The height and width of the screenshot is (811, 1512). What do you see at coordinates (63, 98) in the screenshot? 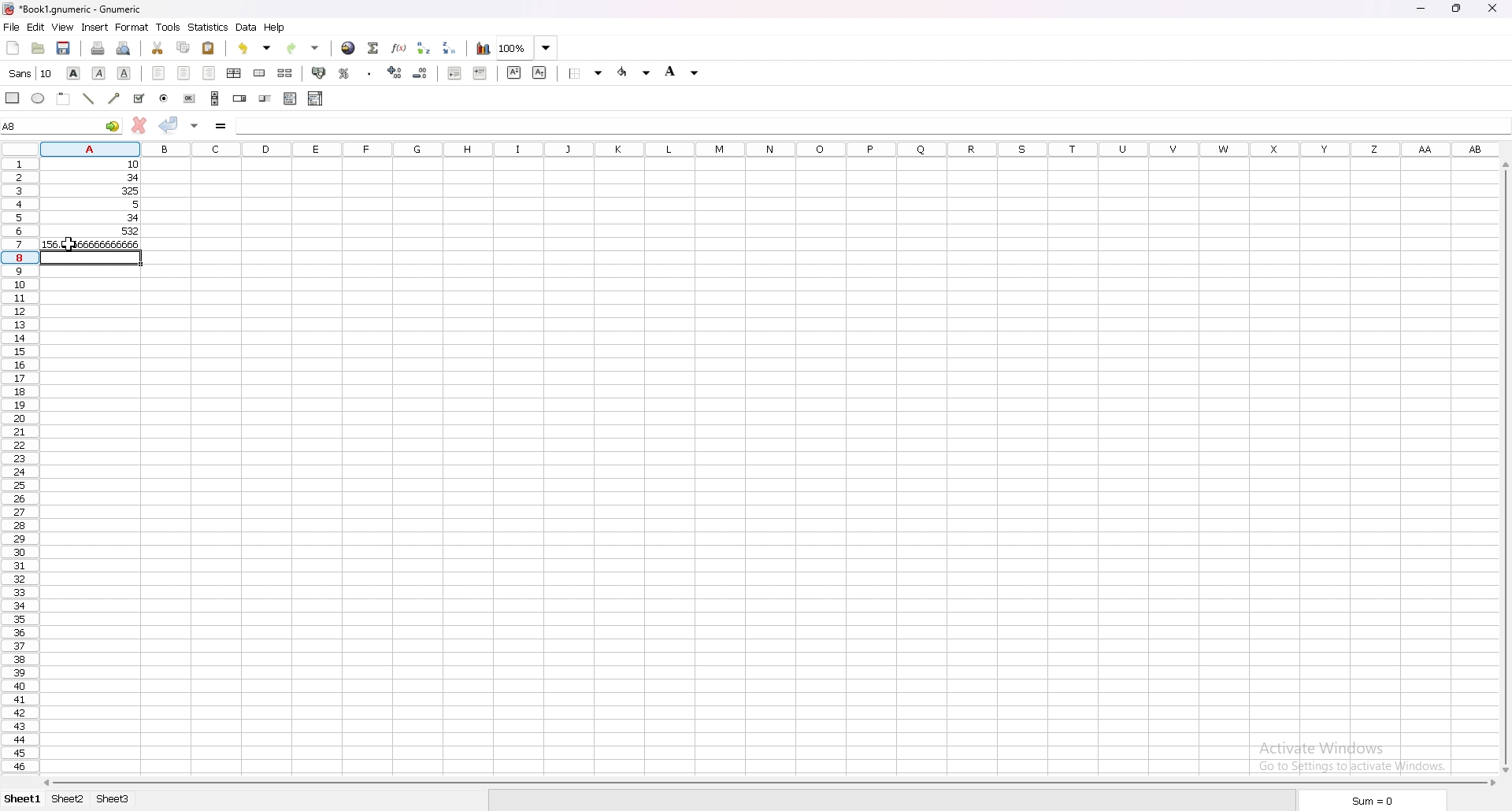
I see `frame` at bounding box center [63, 98].